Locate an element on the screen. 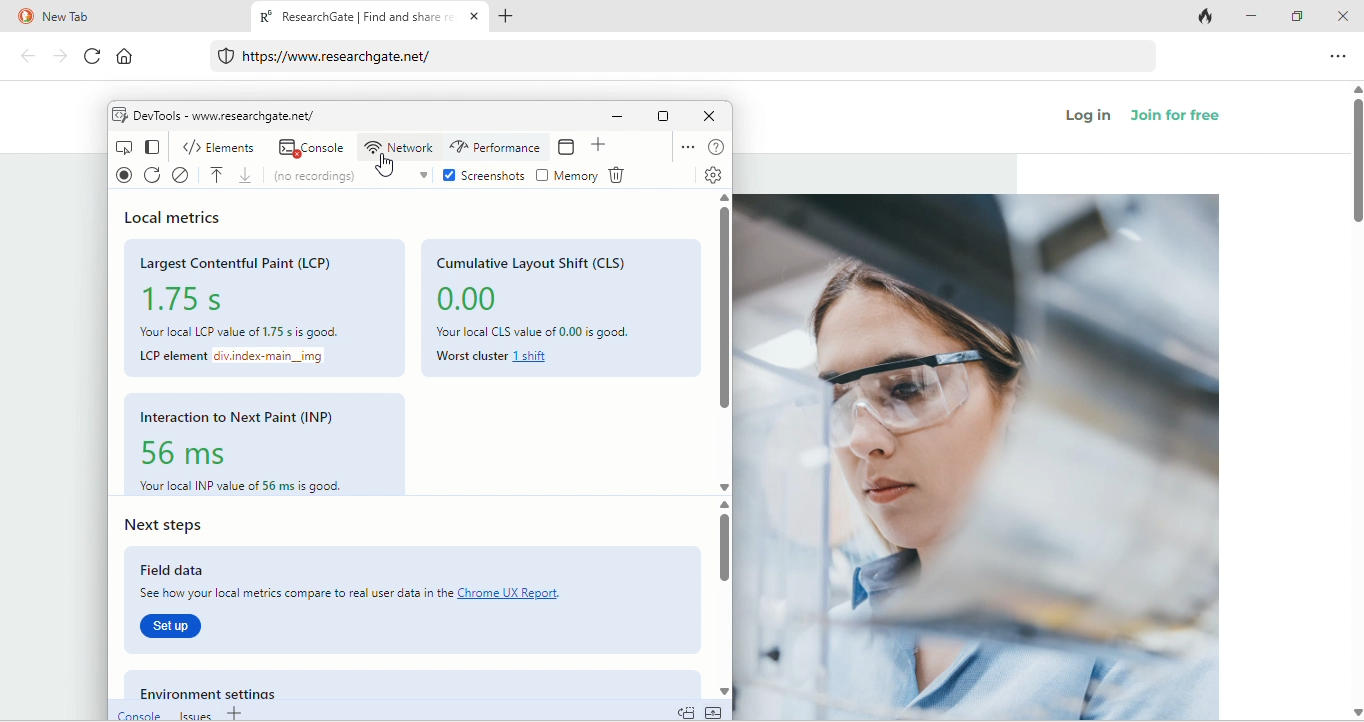 This screenshot has height=722, width=1364. doc quick view is located at coordinates (686, 711).